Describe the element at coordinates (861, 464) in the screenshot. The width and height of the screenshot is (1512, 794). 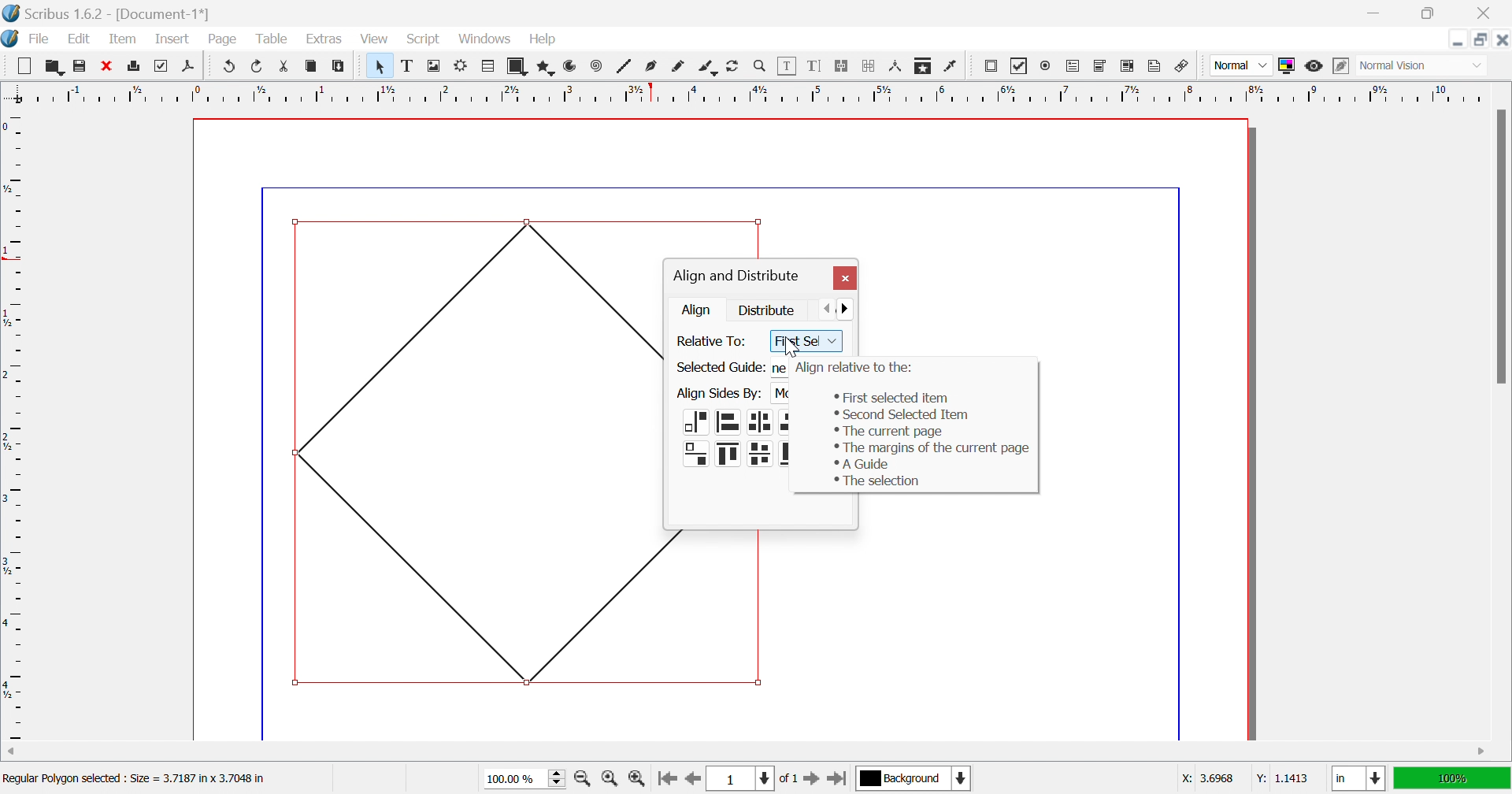
I see `A Guide` at that location.